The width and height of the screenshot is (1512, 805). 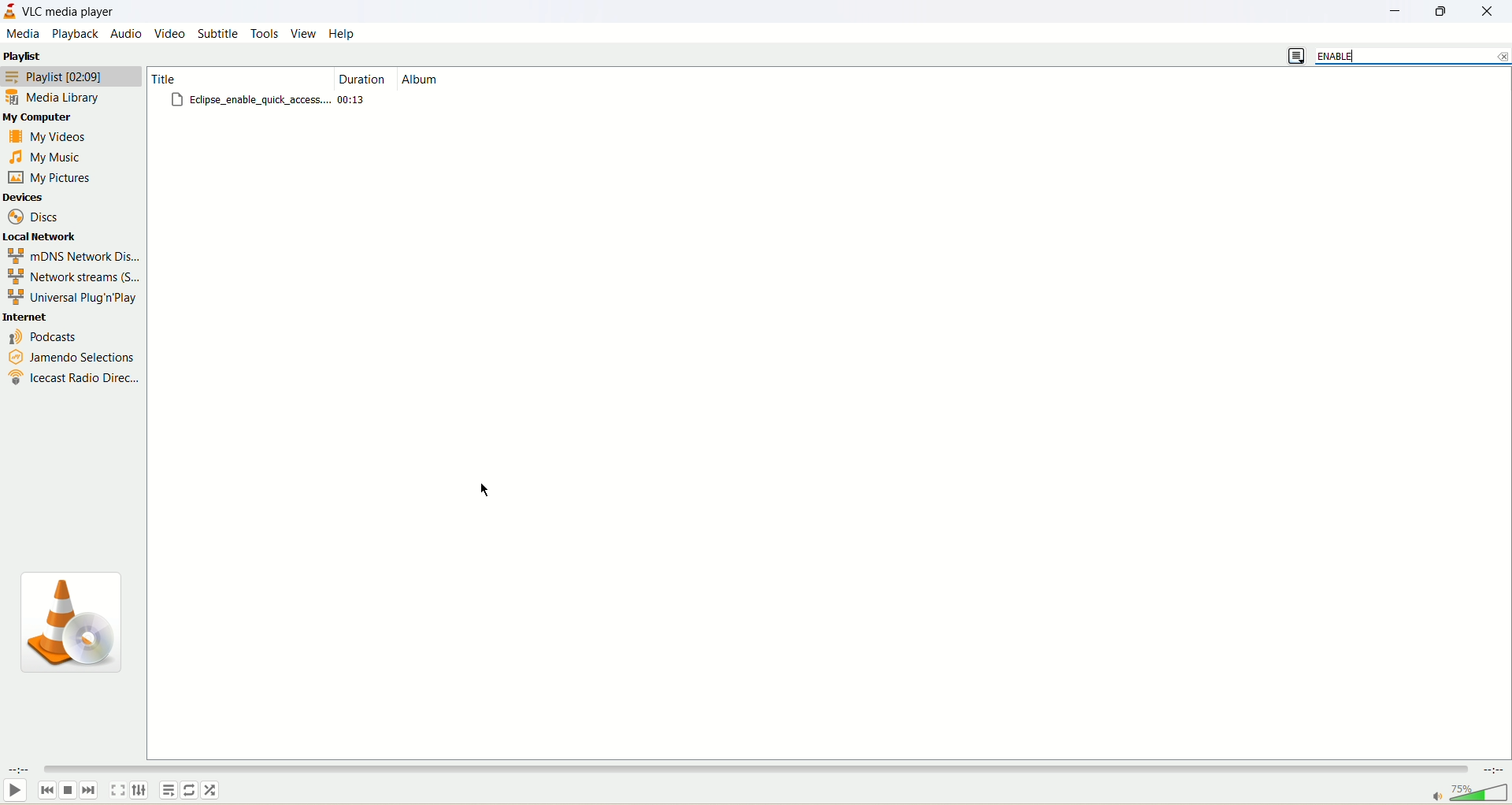 I want to click on close, so click(x=1490, y=11).